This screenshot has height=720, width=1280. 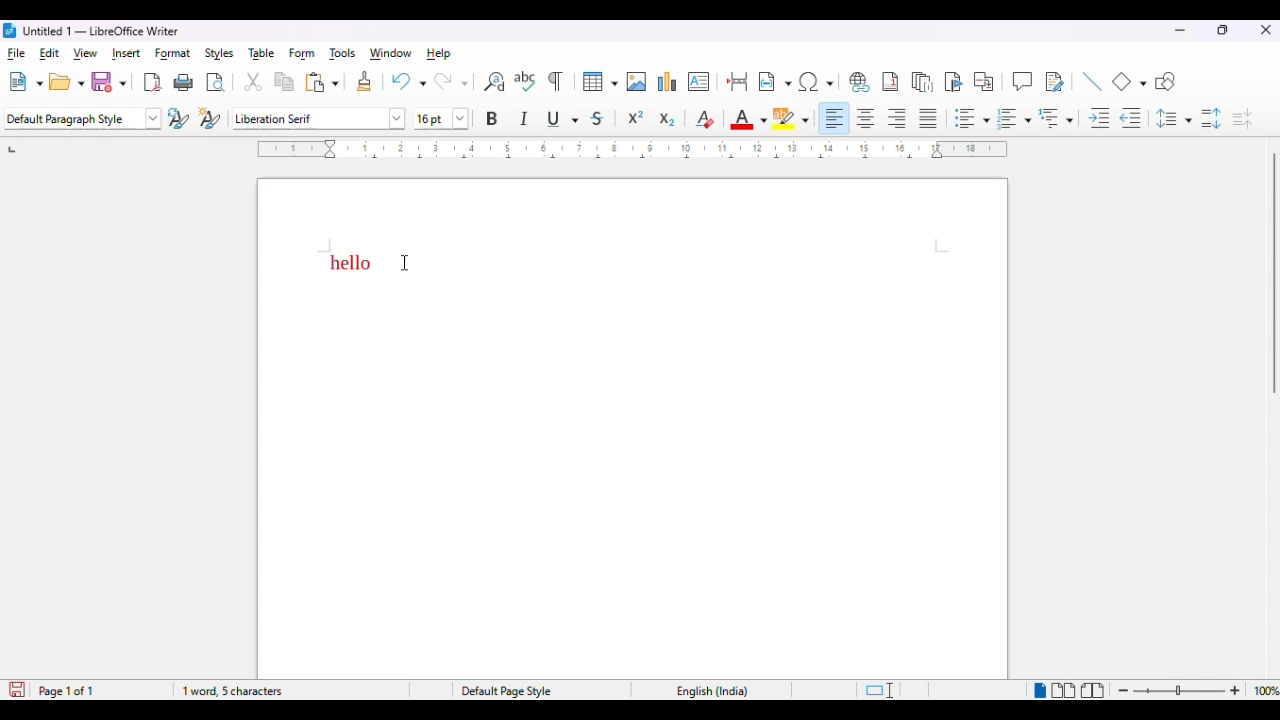 What do you see at coordinates (493, 118) in the screenshot?
I see `bold` at bounding box center [493, 118].